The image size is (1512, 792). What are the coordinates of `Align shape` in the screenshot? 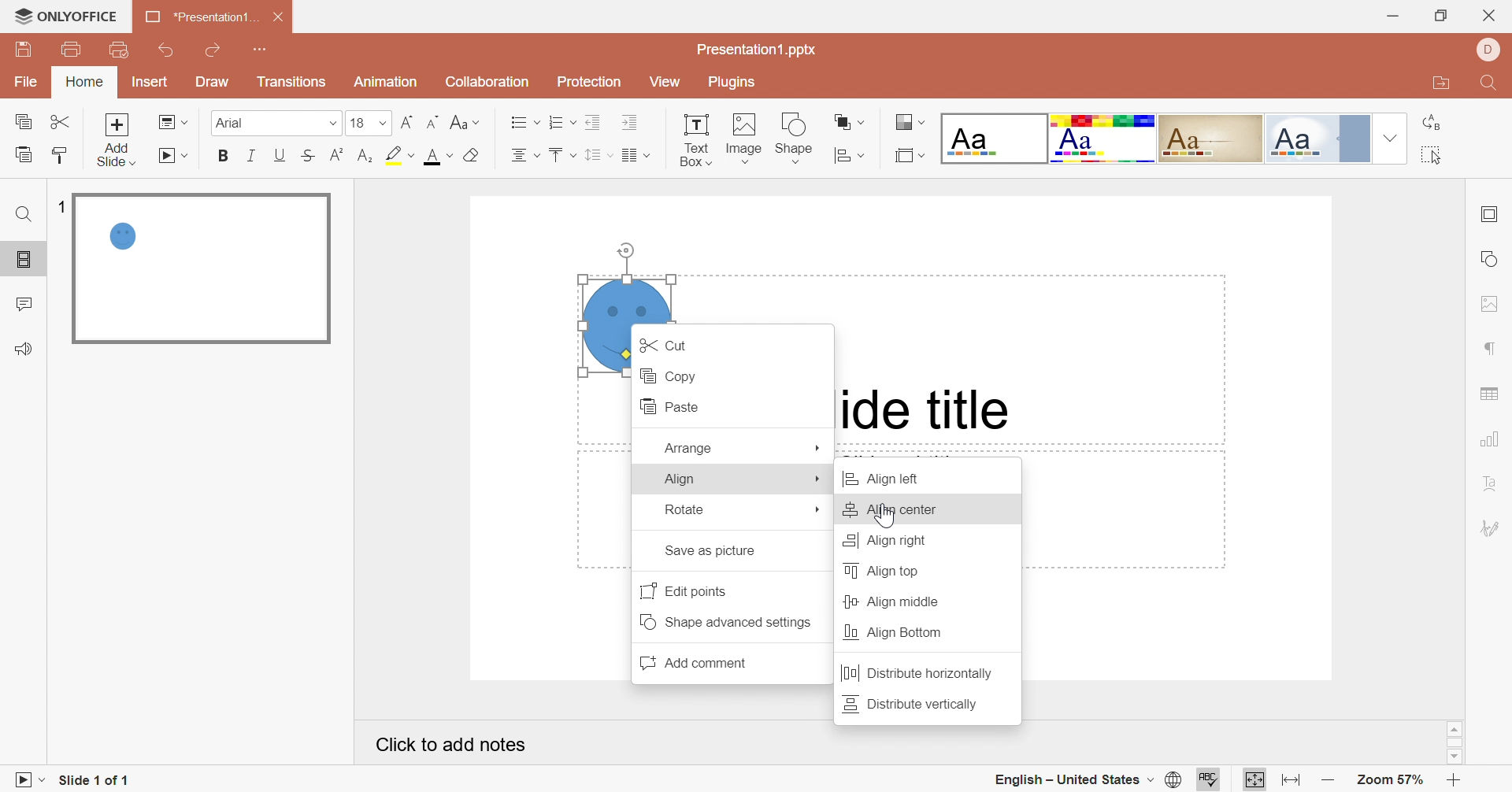 It's located at (853, 156).